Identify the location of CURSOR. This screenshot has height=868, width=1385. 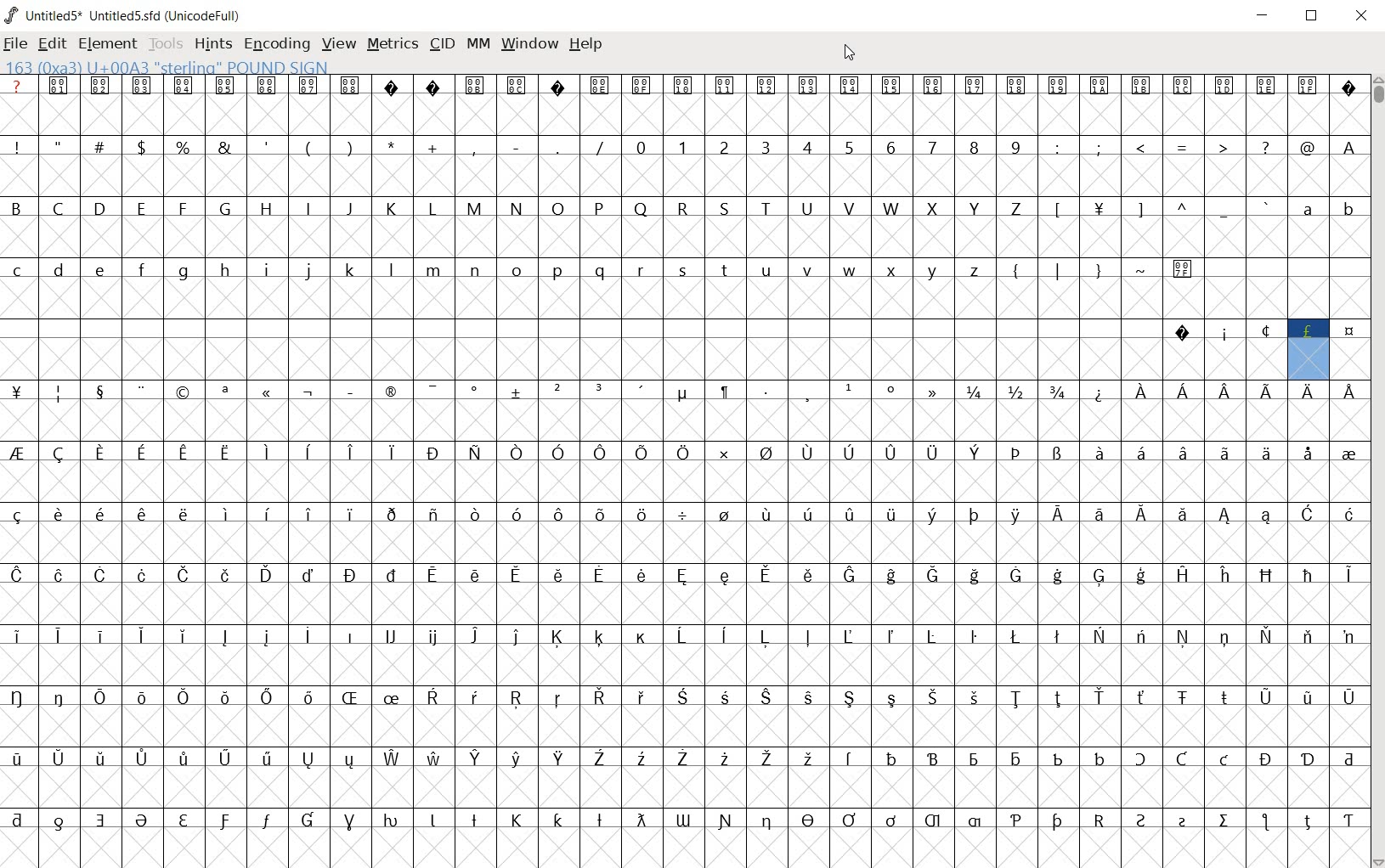
(850, 54).